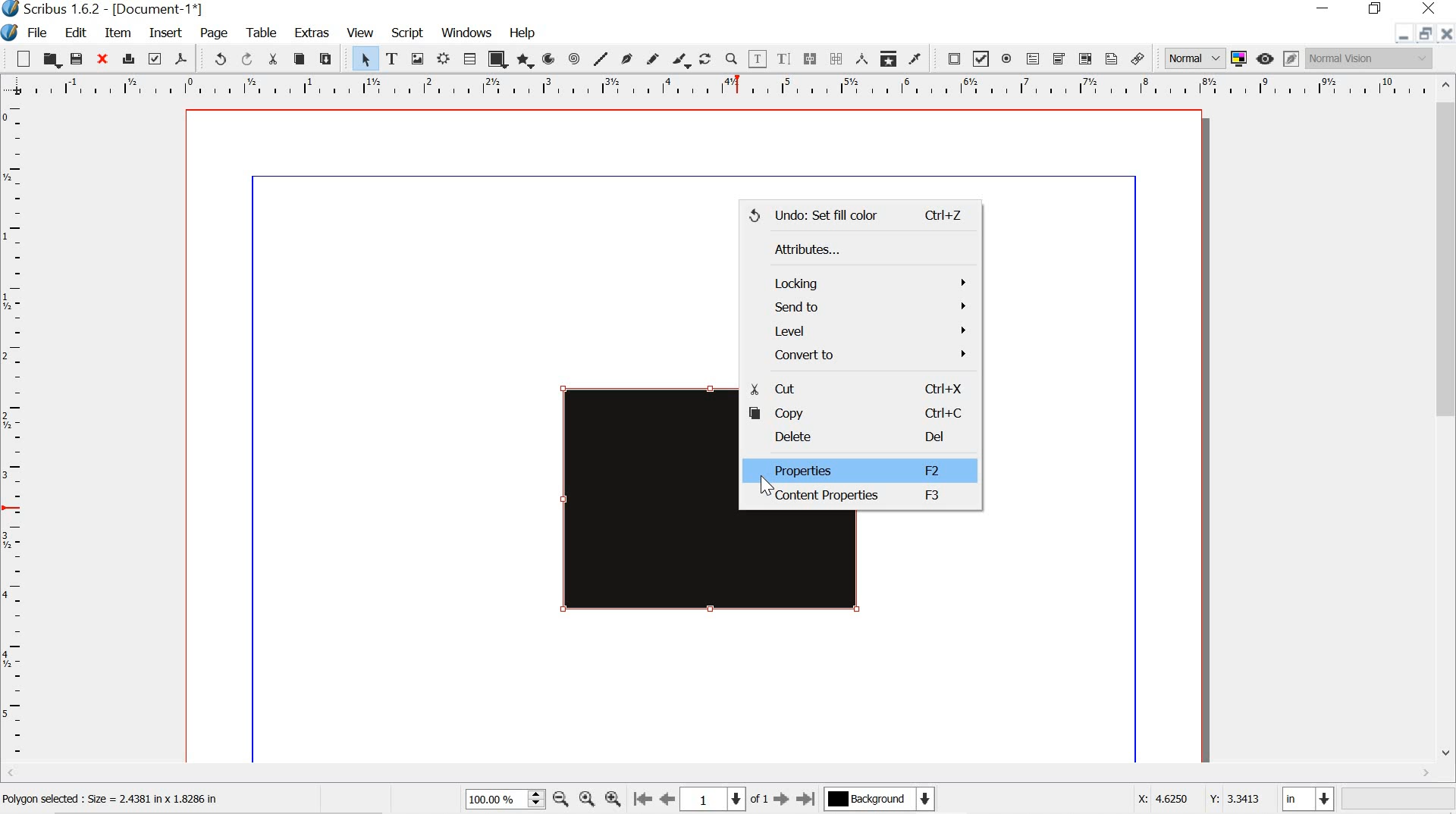 This screenshot has width=1456, height=814. I want to click on pdf check box, so click(982, 58).